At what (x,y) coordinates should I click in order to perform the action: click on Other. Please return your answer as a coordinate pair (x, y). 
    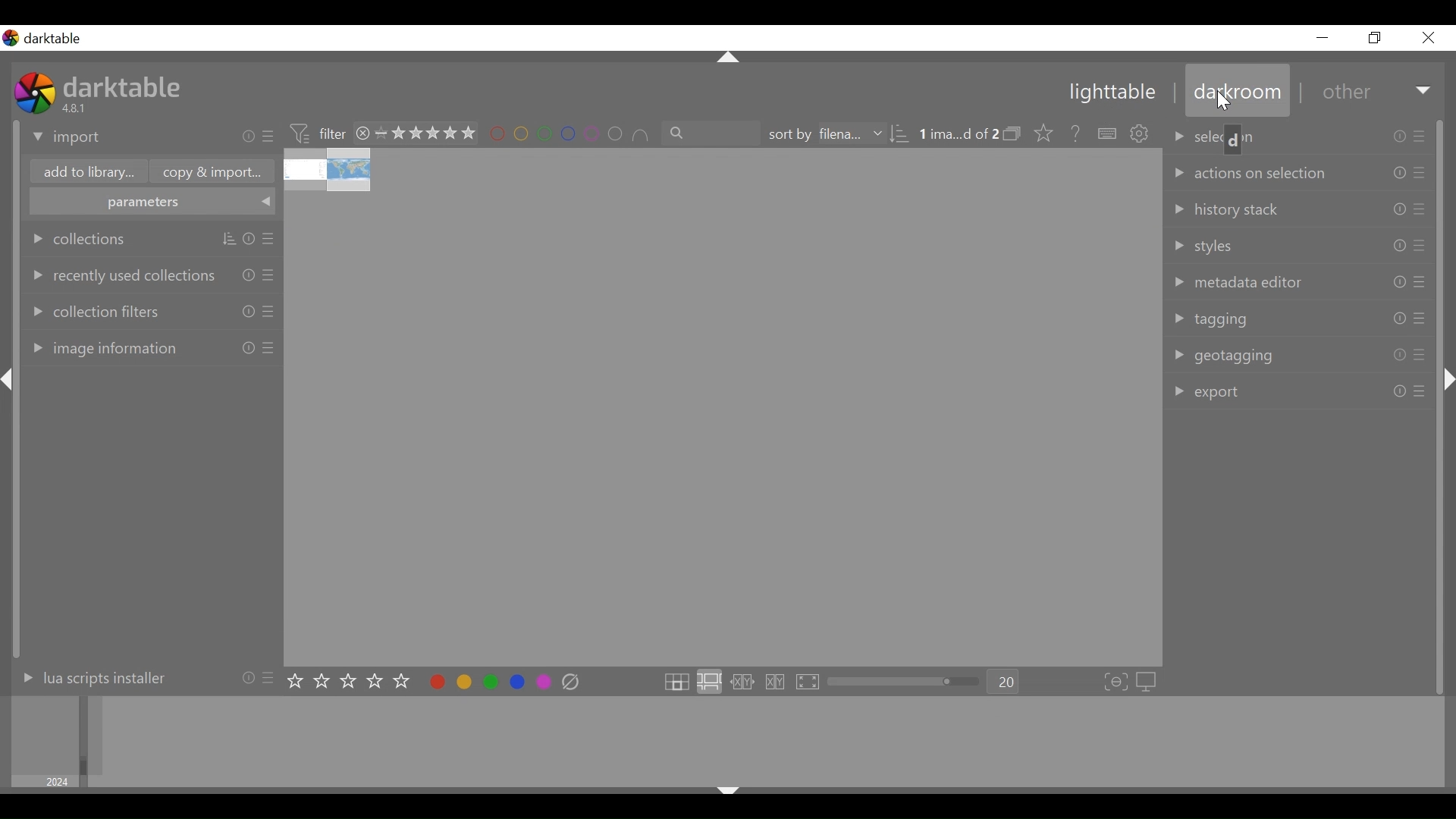
    Looking at the image, I should click on (1377, 91).